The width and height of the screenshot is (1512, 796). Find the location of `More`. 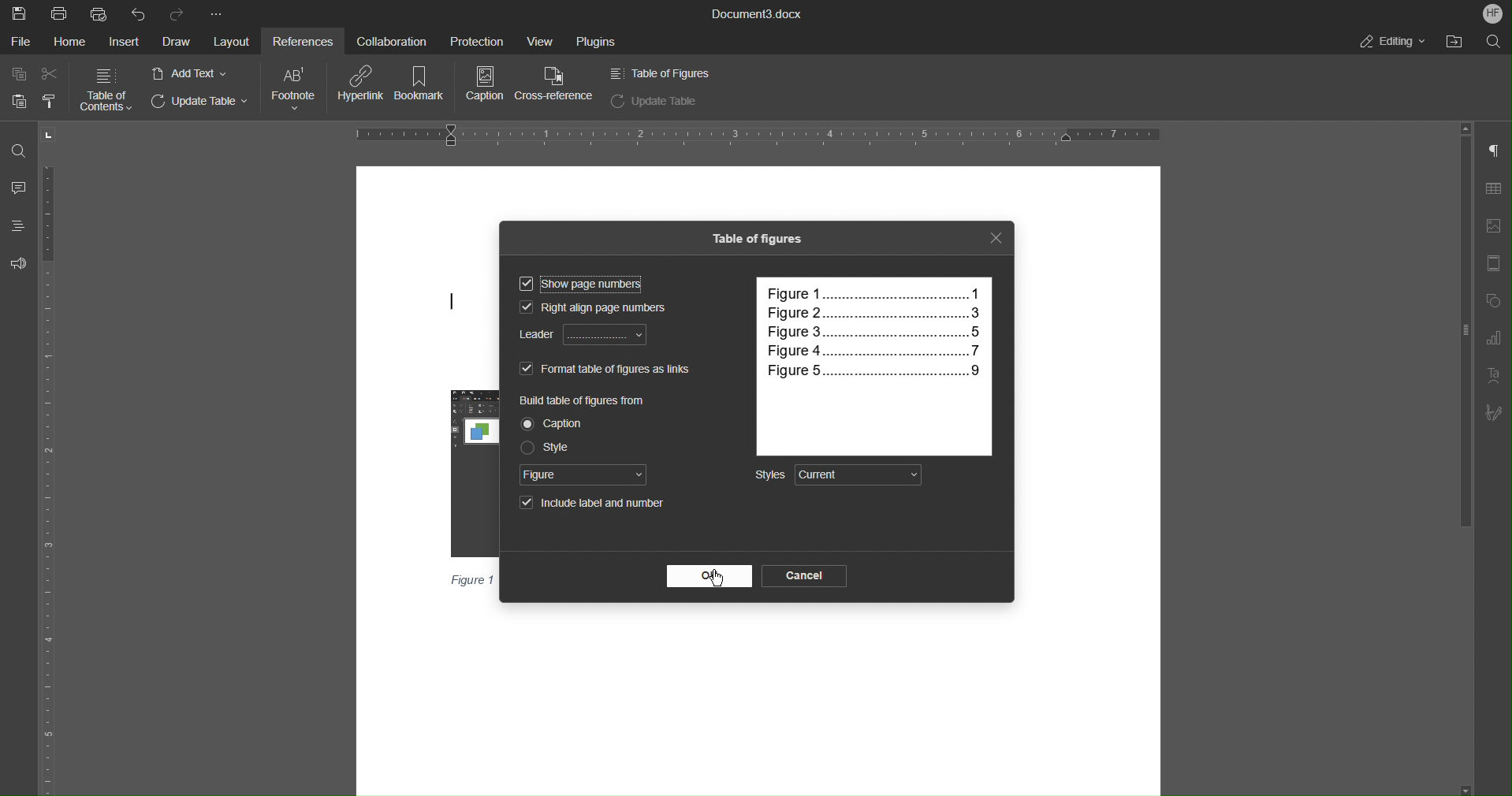

More is located at coordinates (217, 11).